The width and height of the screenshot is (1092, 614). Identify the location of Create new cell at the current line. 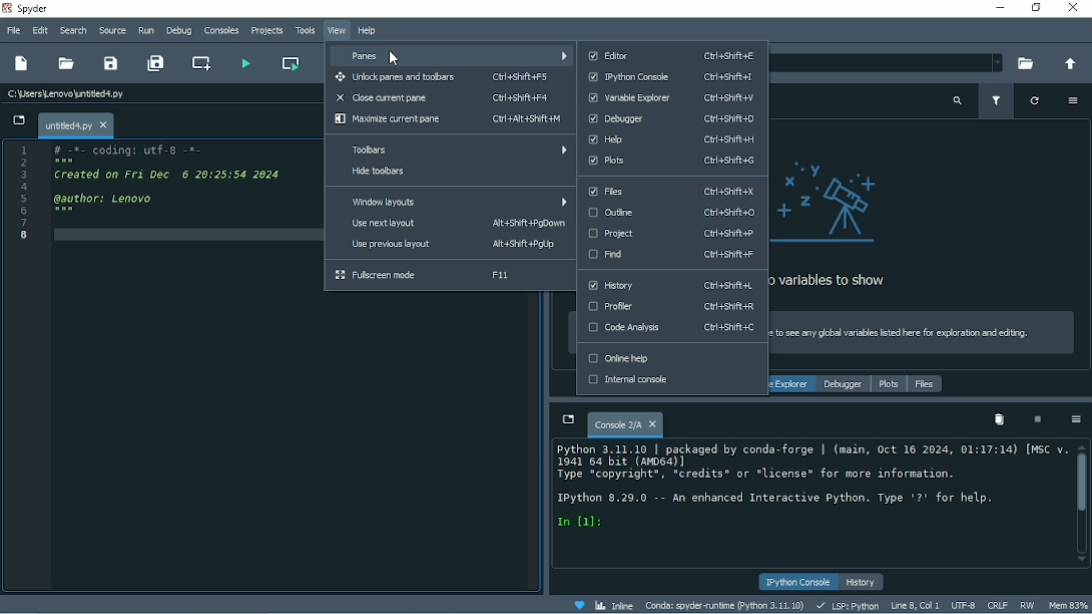
(203, 63).